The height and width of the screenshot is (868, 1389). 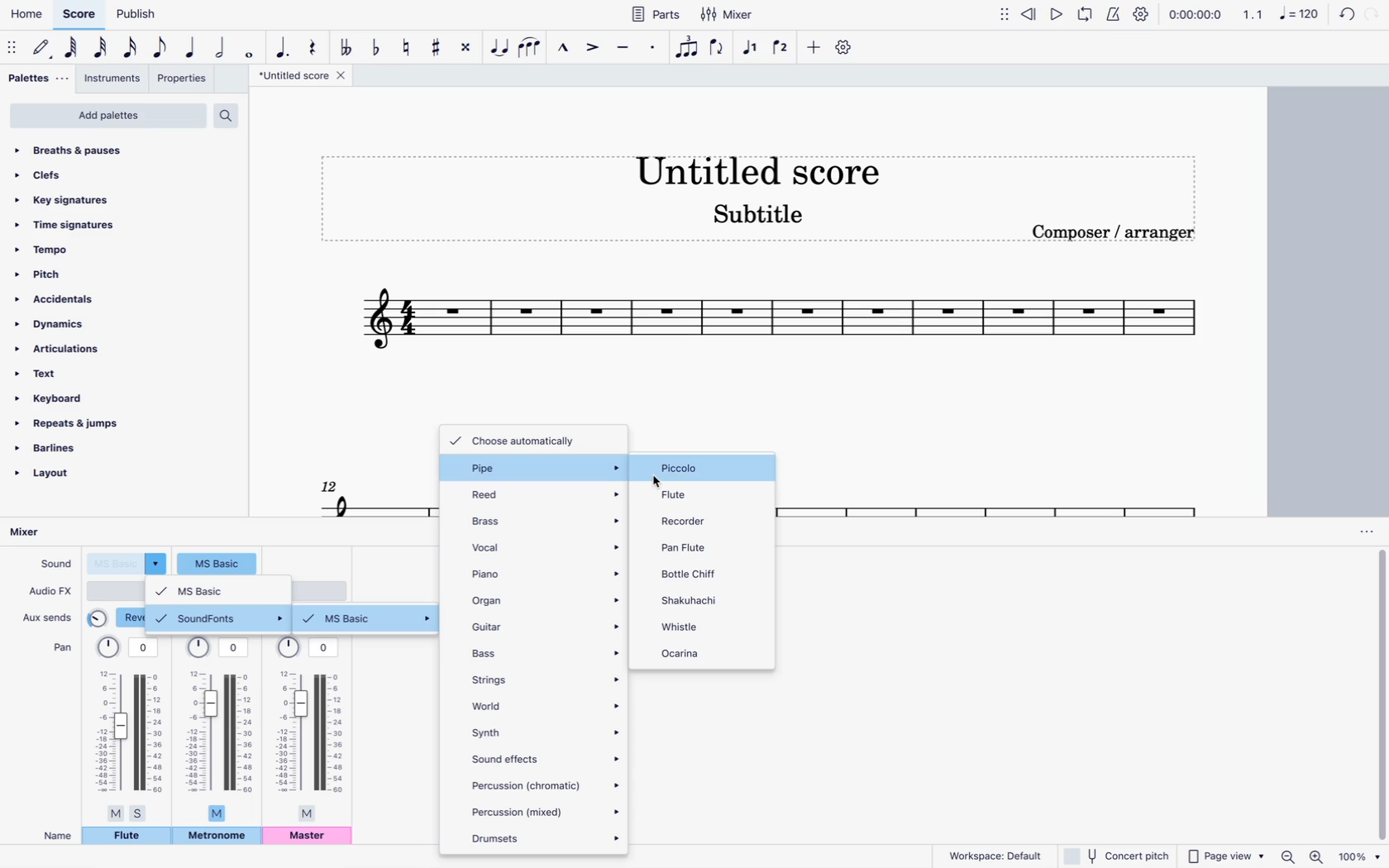 What do you see at coordinates (63, 299) in the screenshot?
I see `accidentals` at bounding box center [63, 299].